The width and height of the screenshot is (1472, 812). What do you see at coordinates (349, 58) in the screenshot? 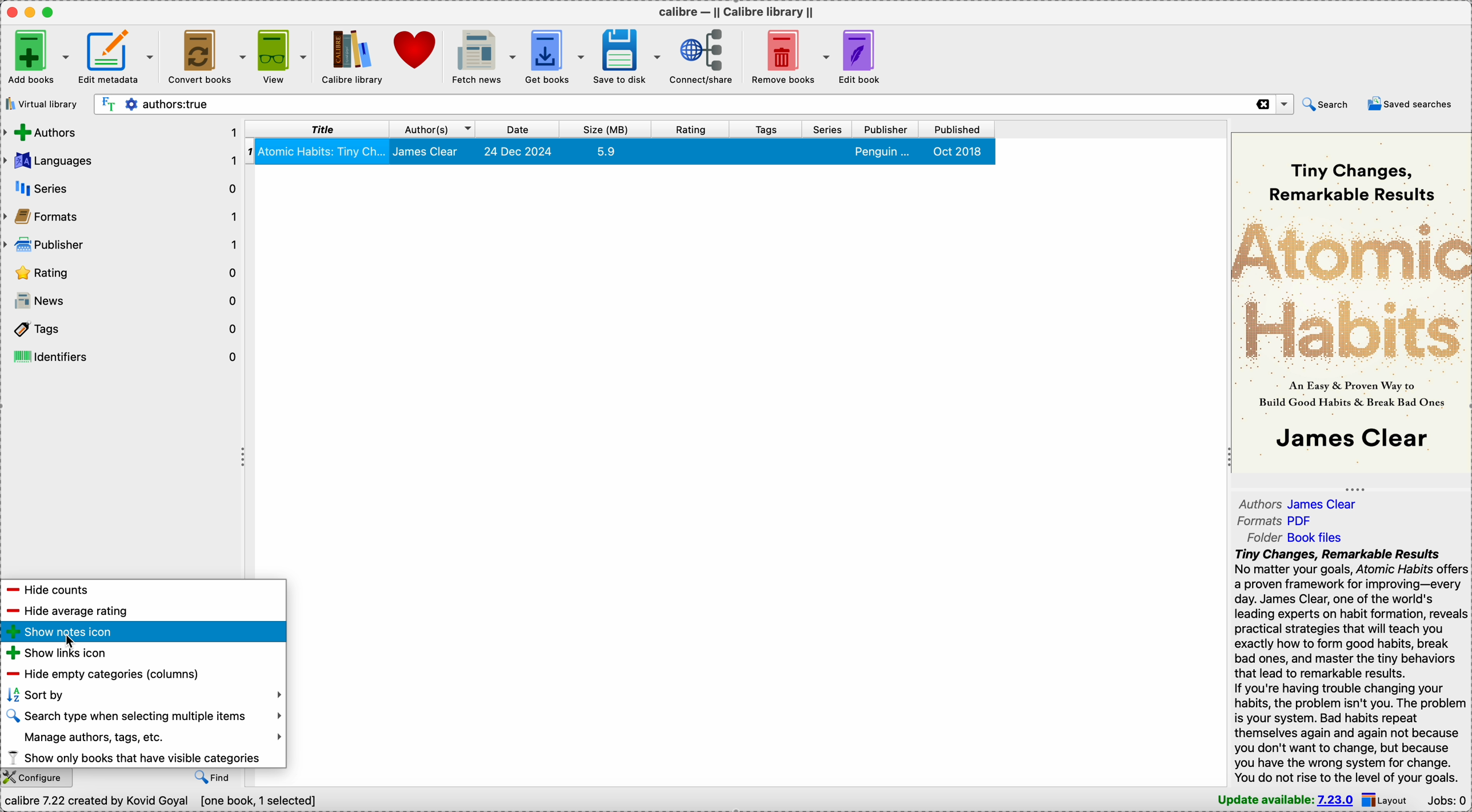
I see `Calibre library` at bounding box center [349, 58].